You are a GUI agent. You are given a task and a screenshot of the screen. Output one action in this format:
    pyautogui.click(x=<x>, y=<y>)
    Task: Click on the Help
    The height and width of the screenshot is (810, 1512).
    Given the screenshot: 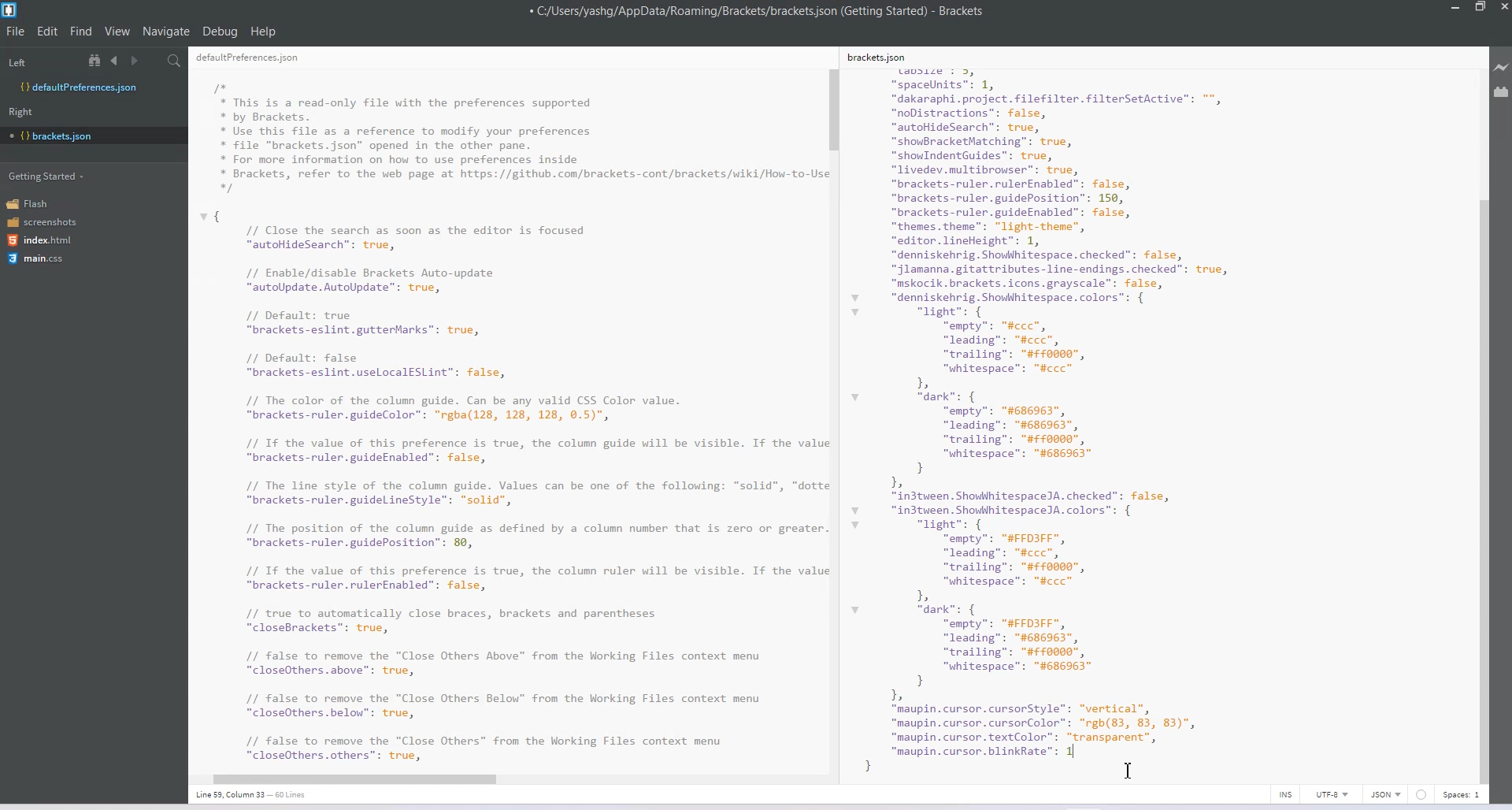 What is the action you would take?
    pyautogui.click(x=264, y=32)
    